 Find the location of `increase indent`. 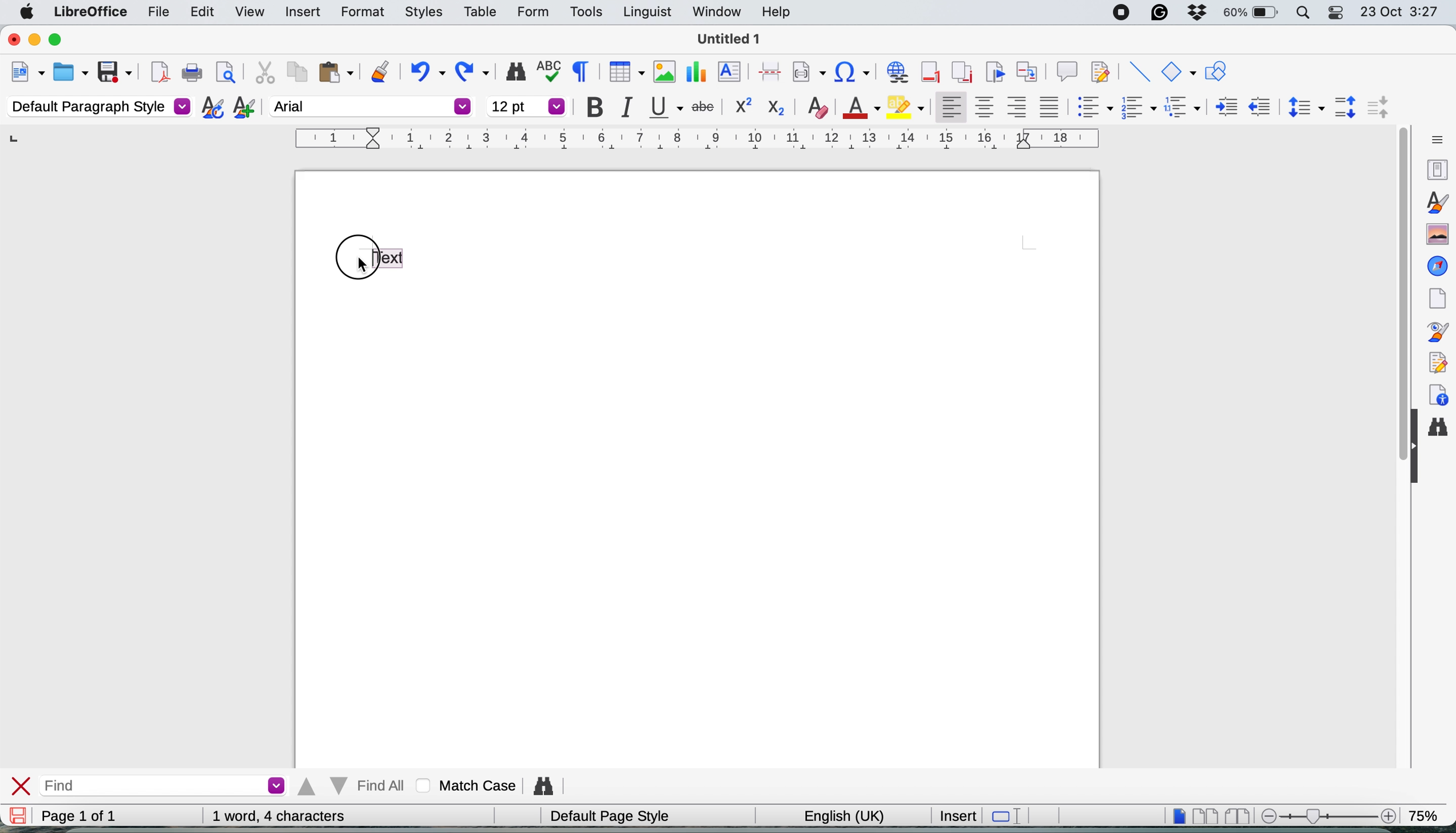

increase indent is located at coordinates (1220, 107).